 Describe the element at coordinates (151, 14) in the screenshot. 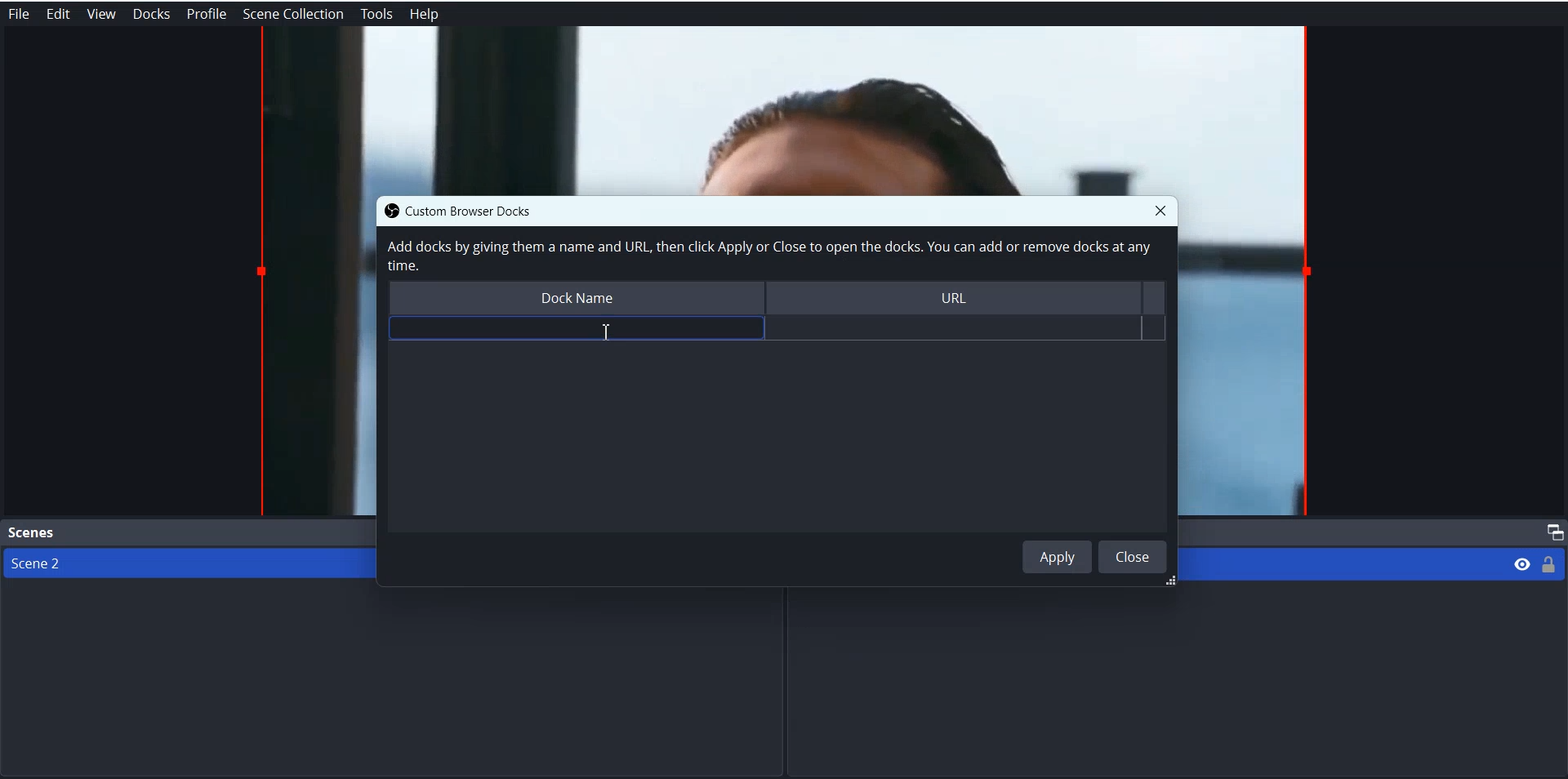

I see `Docks` at that location.